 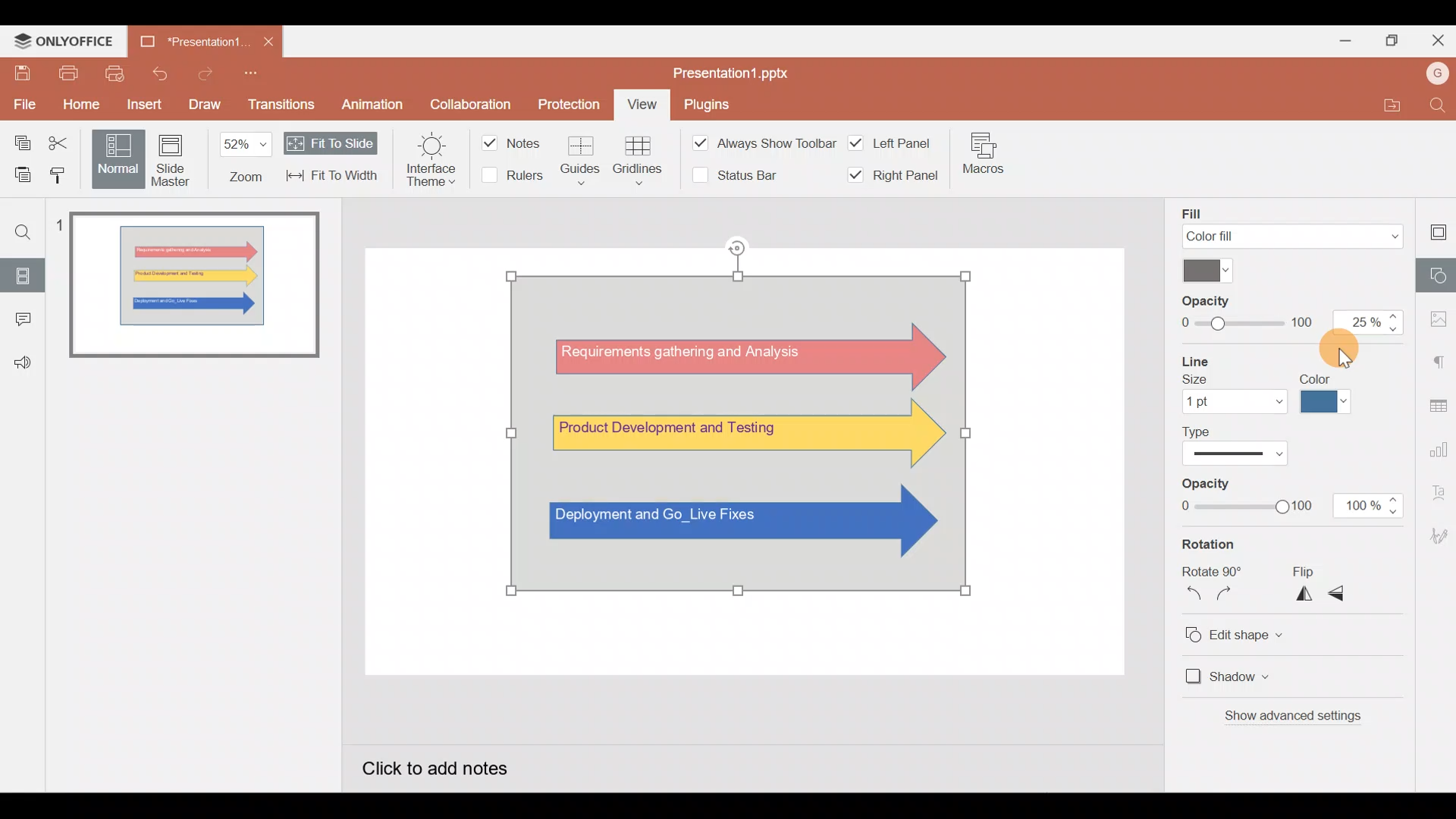 I want to click on ONLYOFFICE, so click(x=64, y=42).